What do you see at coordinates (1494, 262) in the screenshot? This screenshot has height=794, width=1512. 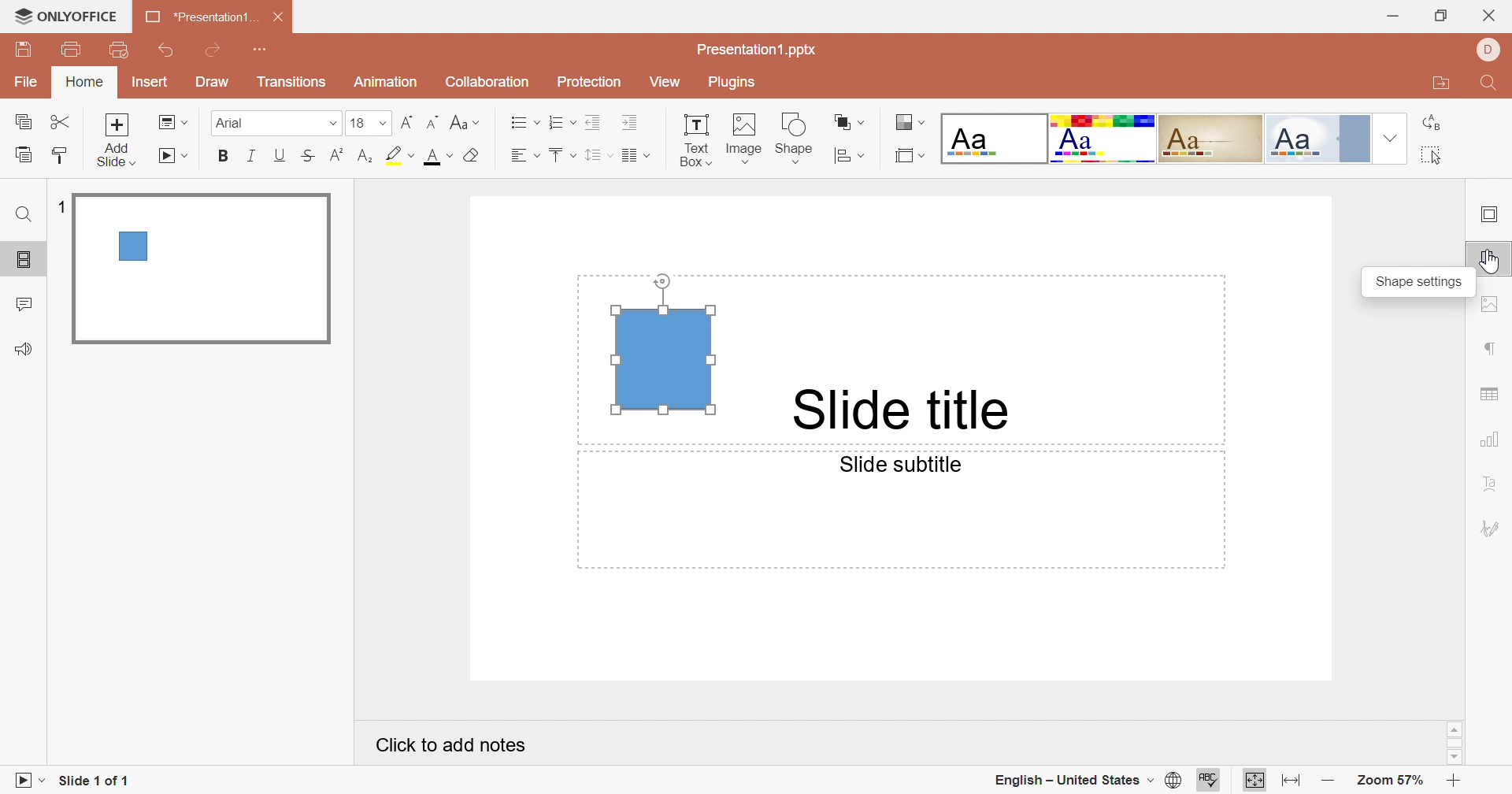 I see `Cursor` at bounding box center [1494, 262].